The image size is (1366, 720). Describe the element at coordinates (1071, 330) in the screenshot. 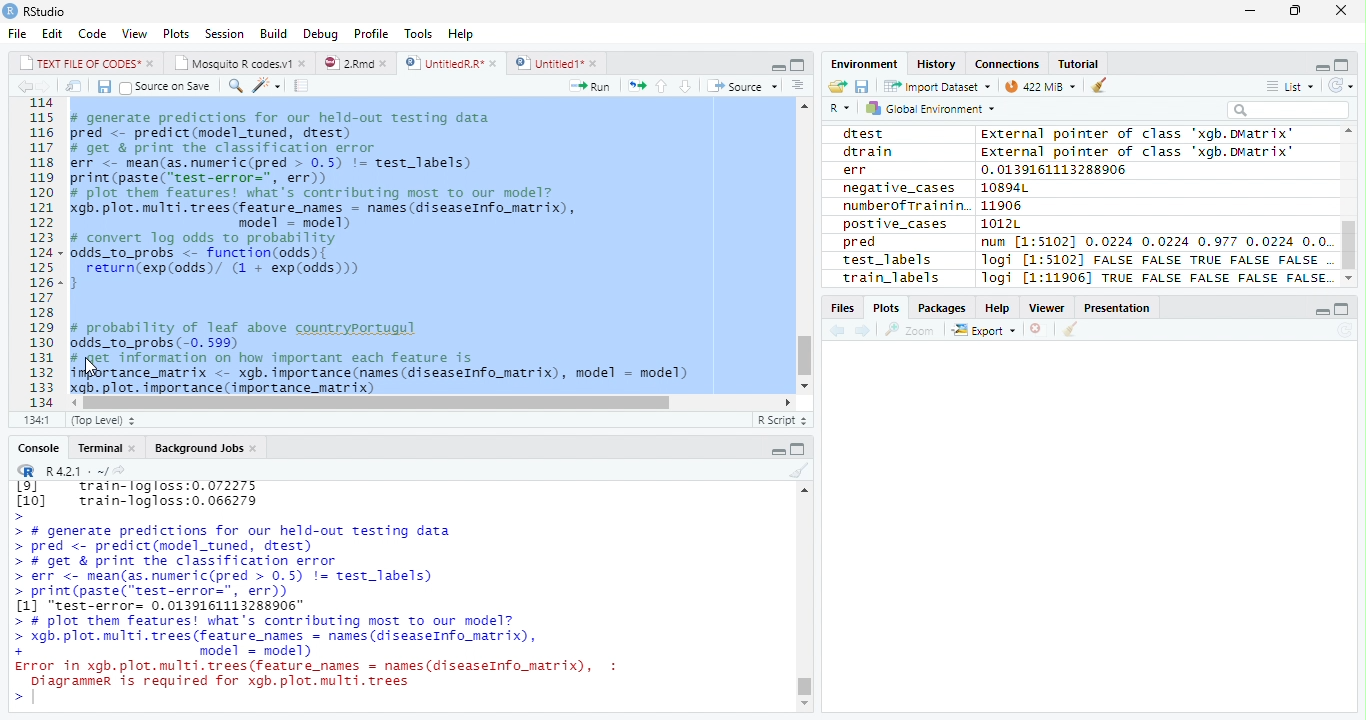

I see `Clean` at that location.